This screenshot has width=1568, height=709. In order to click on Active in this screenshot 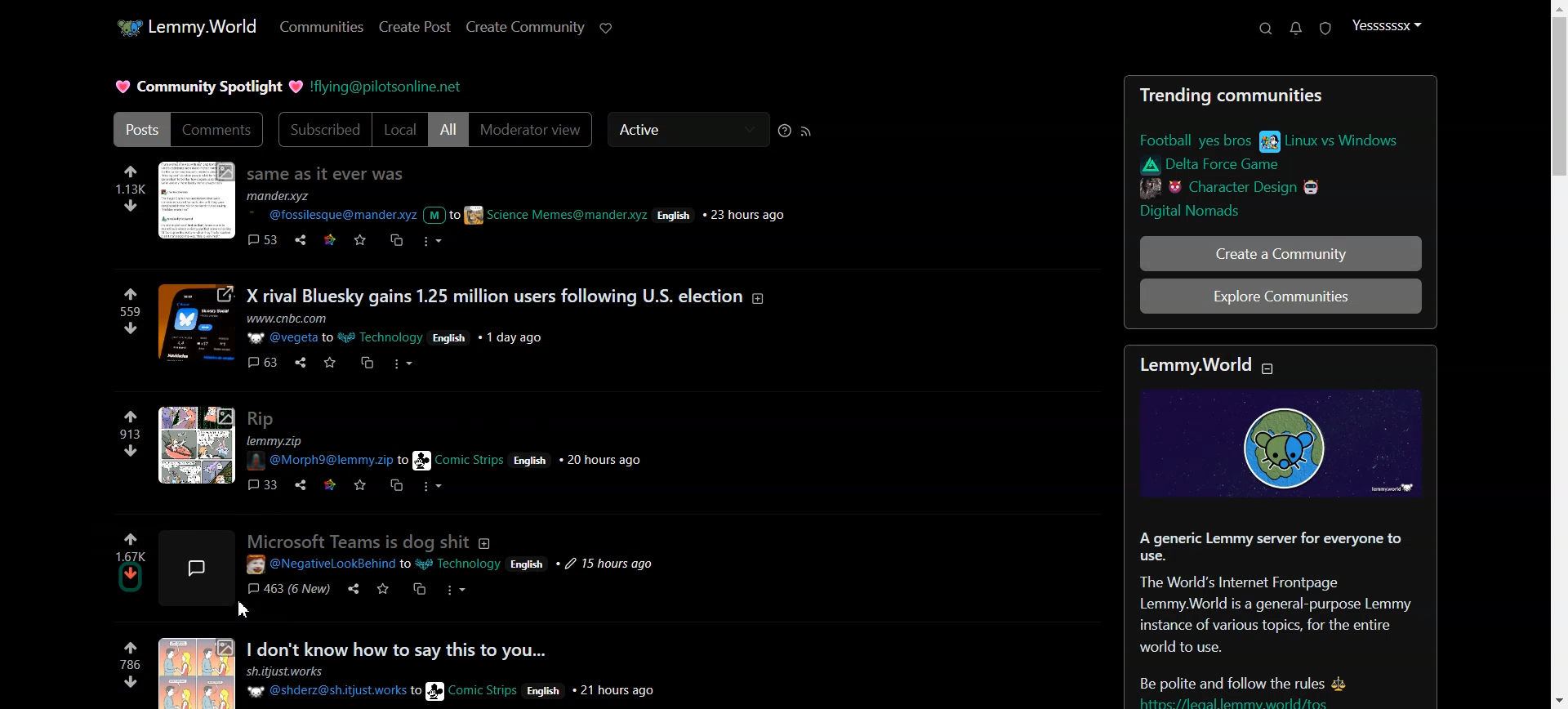, I will do `click(688, 130)`.